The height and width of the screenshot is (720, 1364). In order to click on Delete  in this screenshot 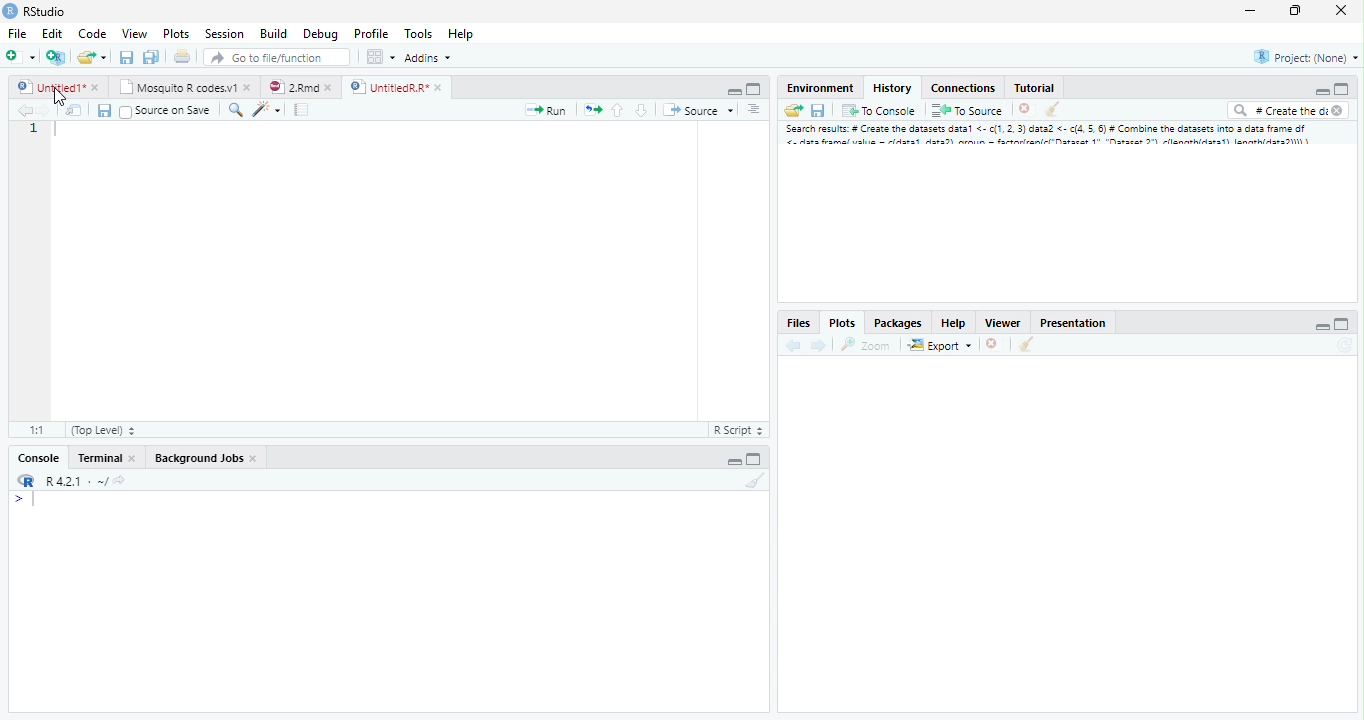, I will do `click(992, 342)`.